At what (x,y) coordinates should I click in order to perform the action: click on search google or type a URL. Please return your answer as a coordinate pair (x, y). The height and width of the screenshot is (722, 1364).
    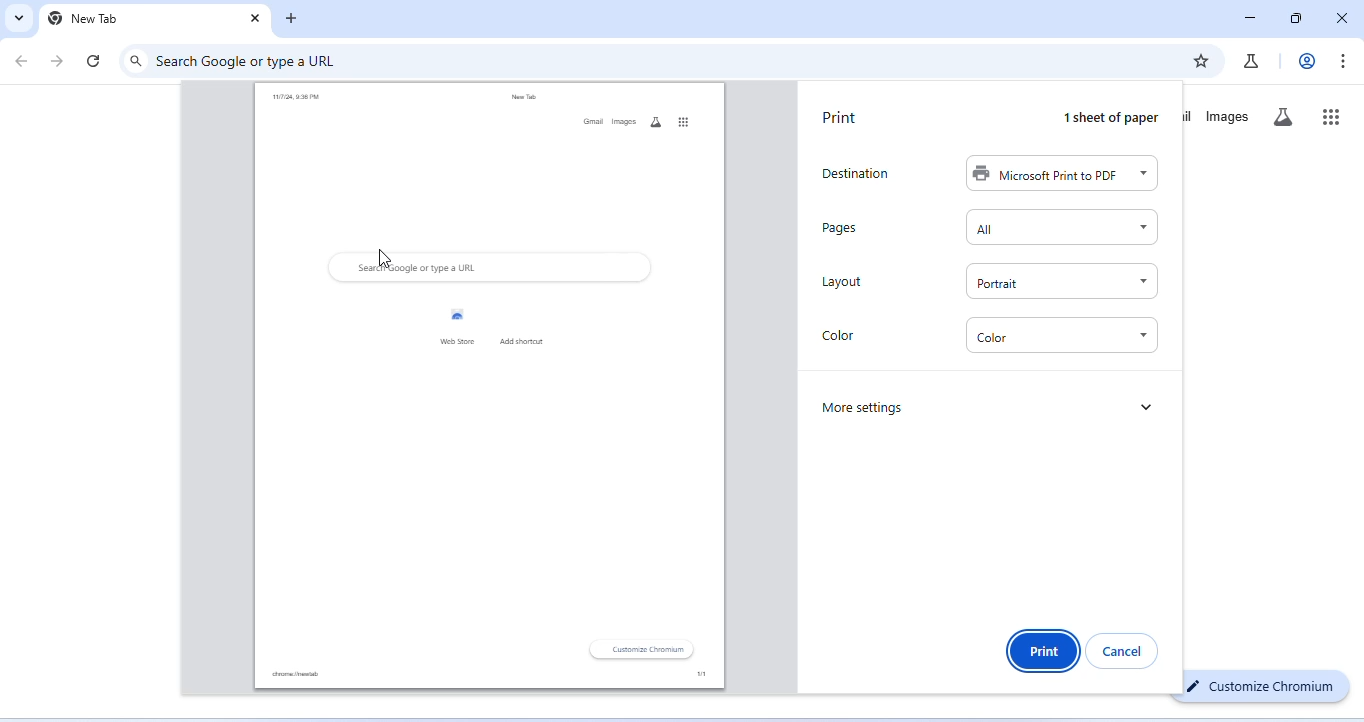
    Looking at the image, I should click on (251, 60).